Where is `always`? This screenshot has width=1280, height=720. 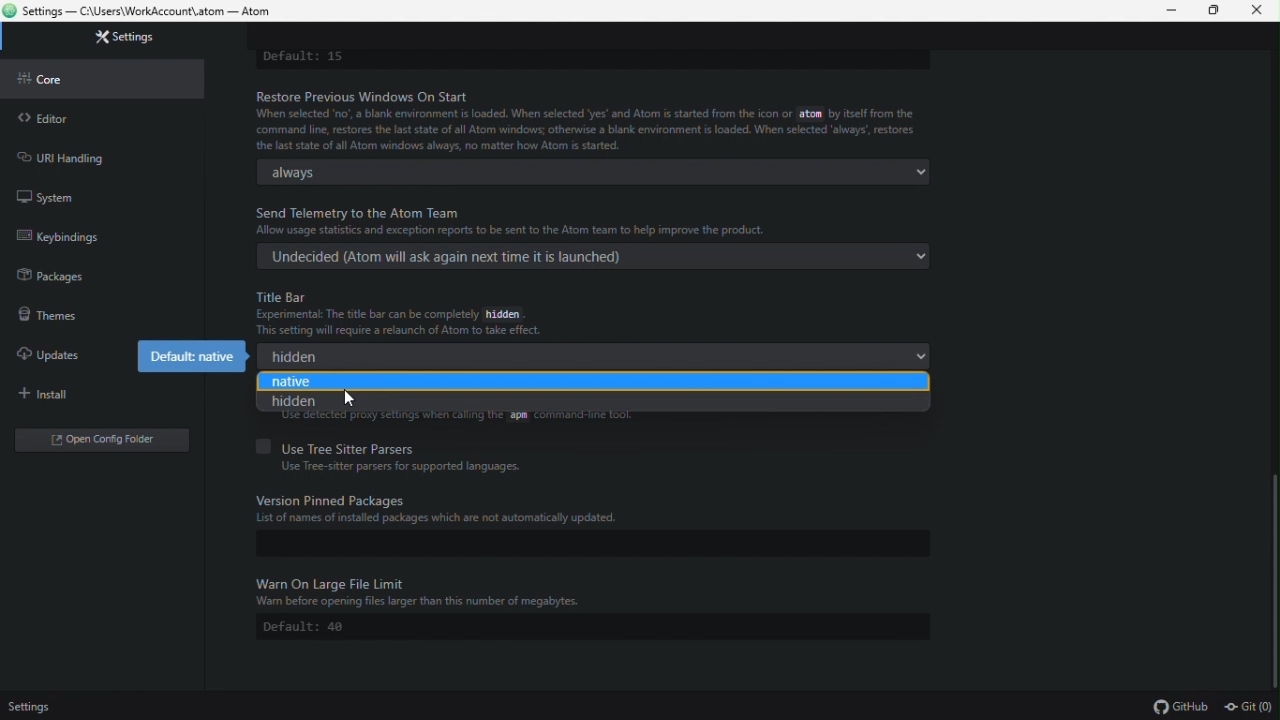 always is located at coordinates (592, 172).